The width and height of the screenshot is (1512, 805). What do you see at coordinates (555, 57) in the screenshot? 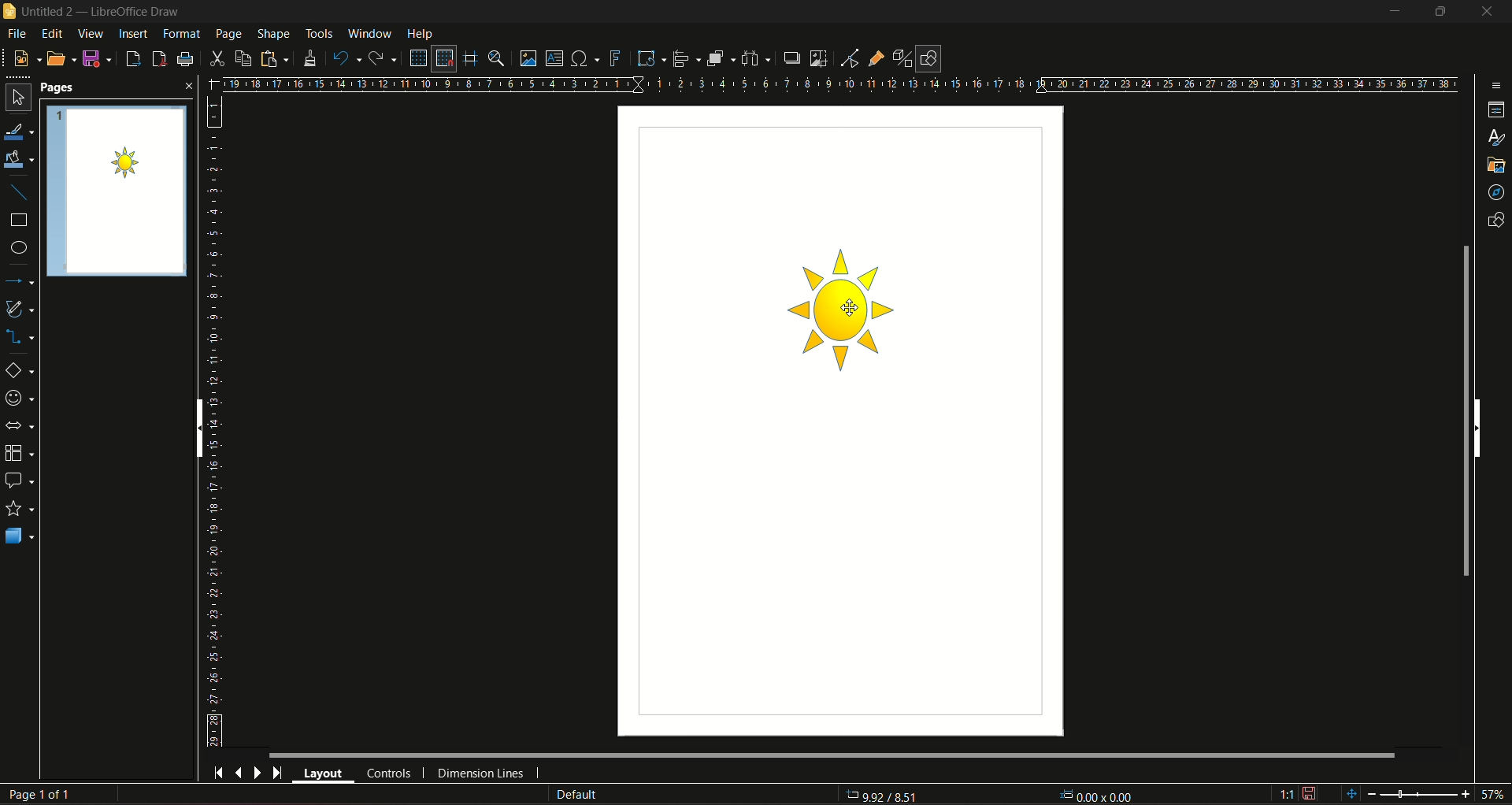
I see `insert text box` at bounding box center [555, 57].